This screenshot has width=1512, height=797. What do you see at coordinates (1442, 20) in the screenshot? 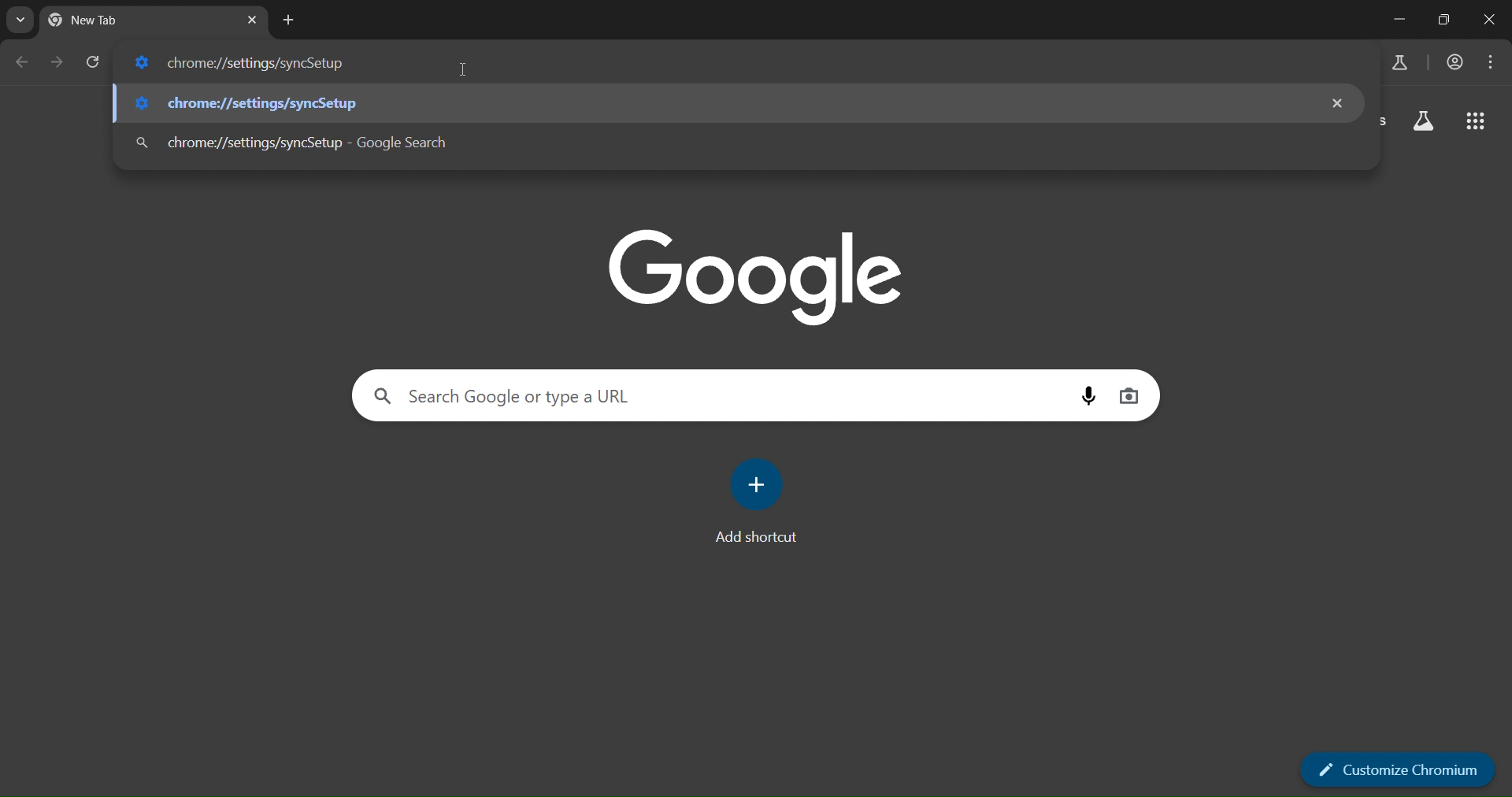
I see `restore down` at bounding box center [1442, 20].